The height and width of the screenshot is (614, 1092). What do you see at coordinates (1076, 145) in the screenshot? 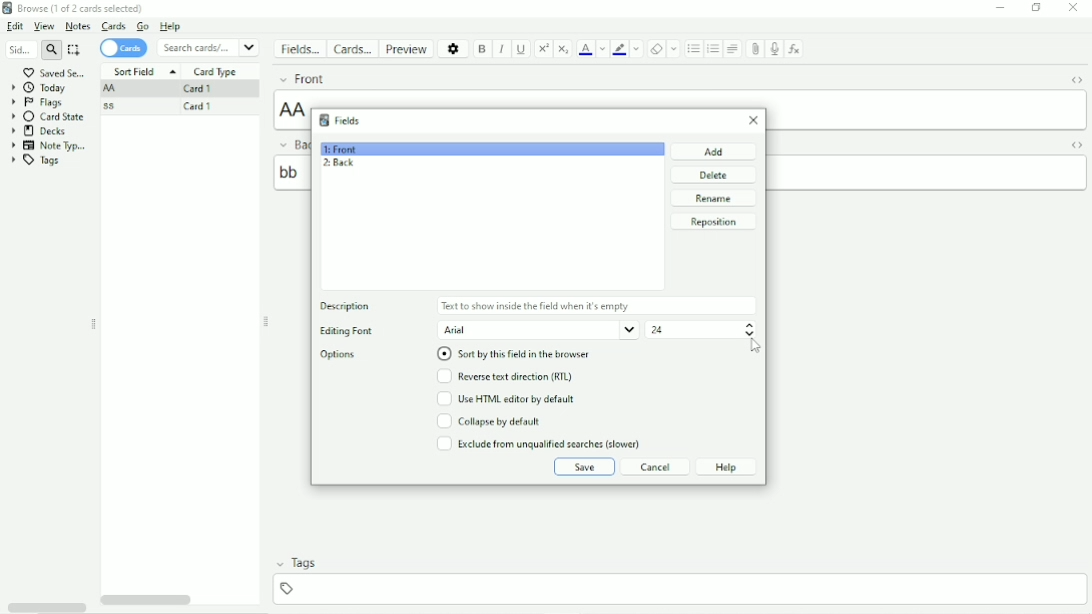
I see `Toggle HTML Editor` at bounding box center [1076, 145].